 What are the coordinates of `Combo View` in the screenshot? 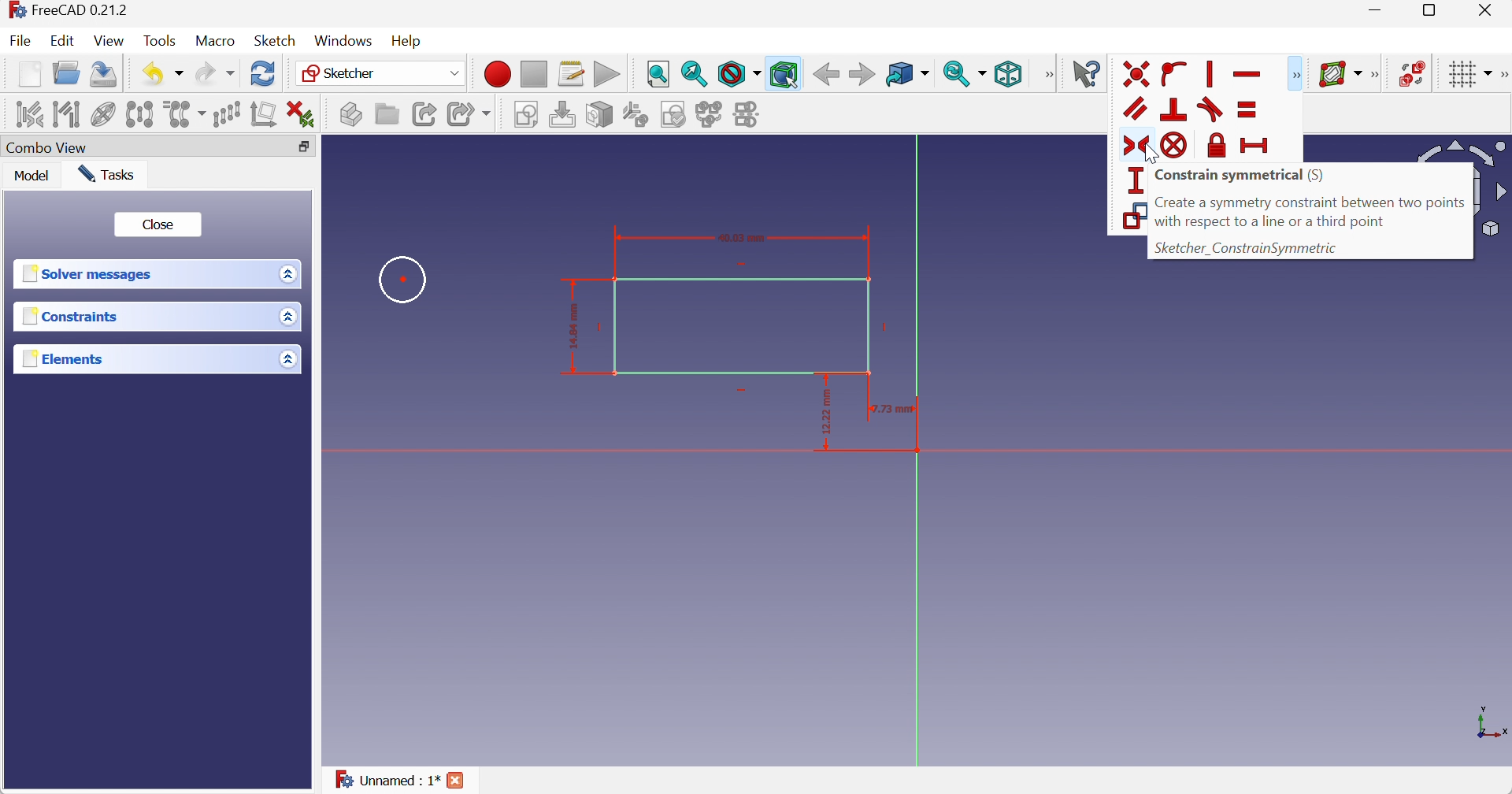 It's located at (46, 149).